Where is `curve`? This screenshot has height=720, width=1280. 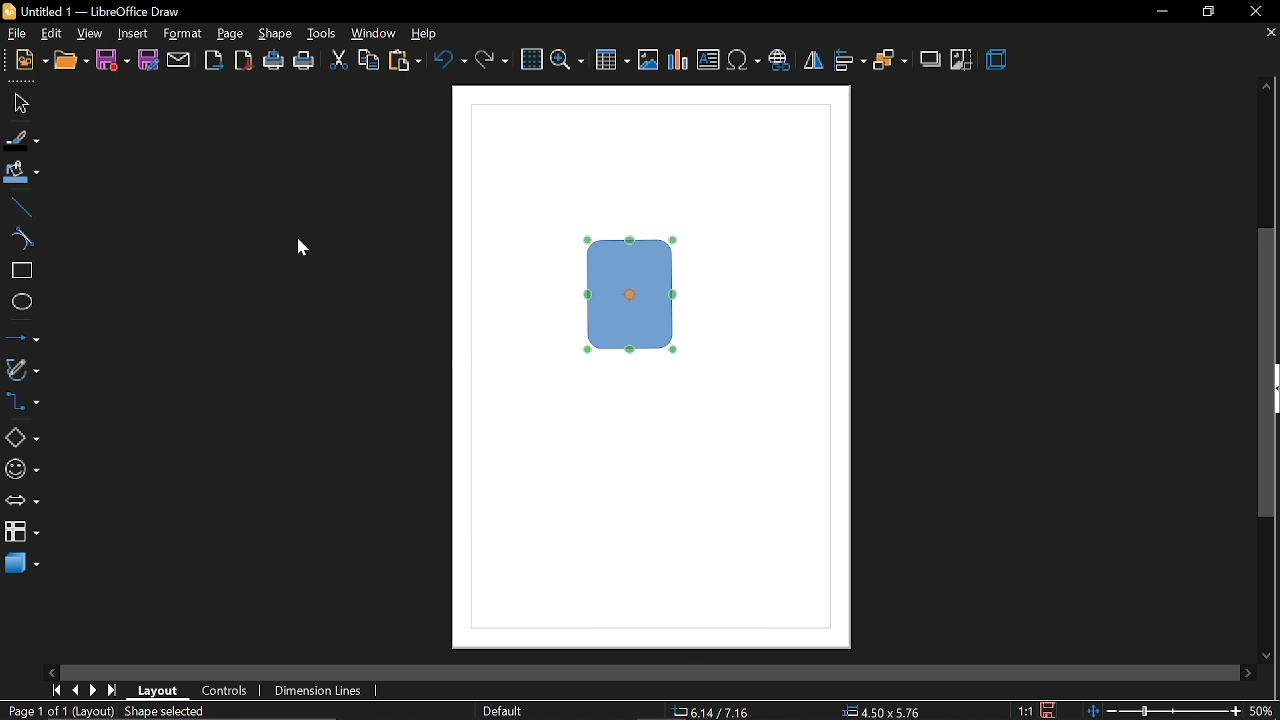
curve is located at coordinates (20, 239).